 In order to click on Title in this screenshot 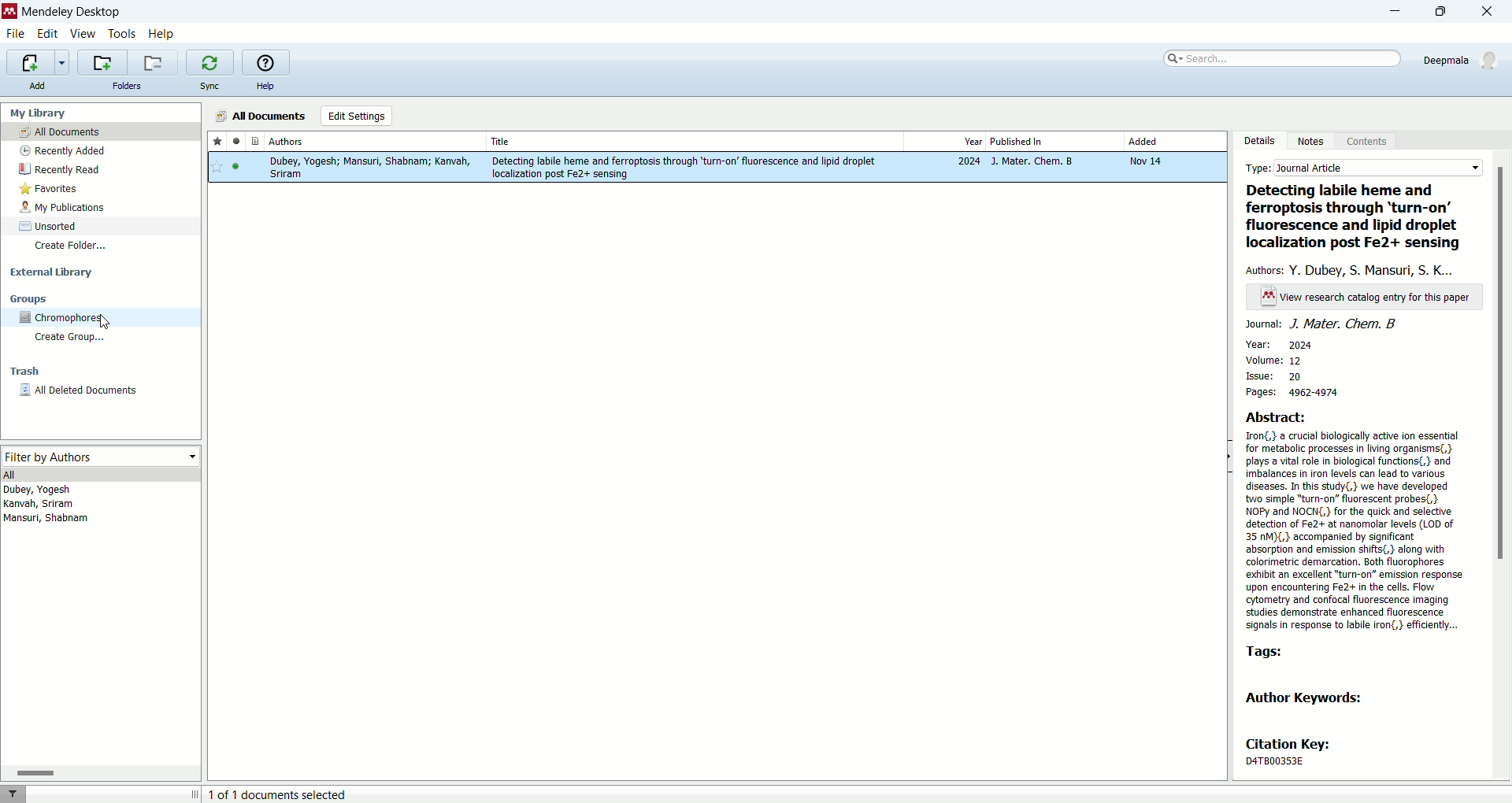, I will do `click(695, 141)`.